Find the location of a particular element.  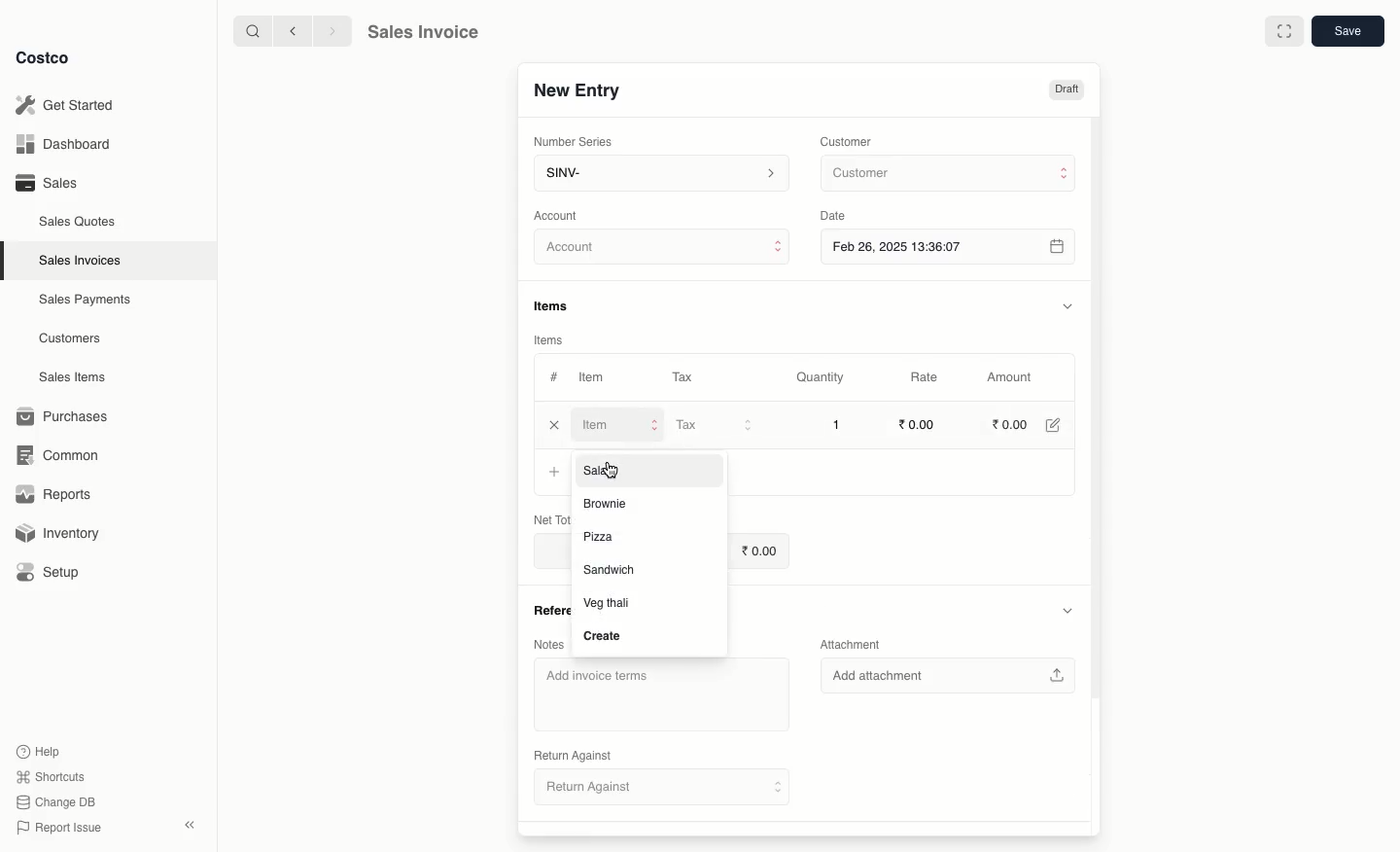

Search is located at coordinates (250, 30).